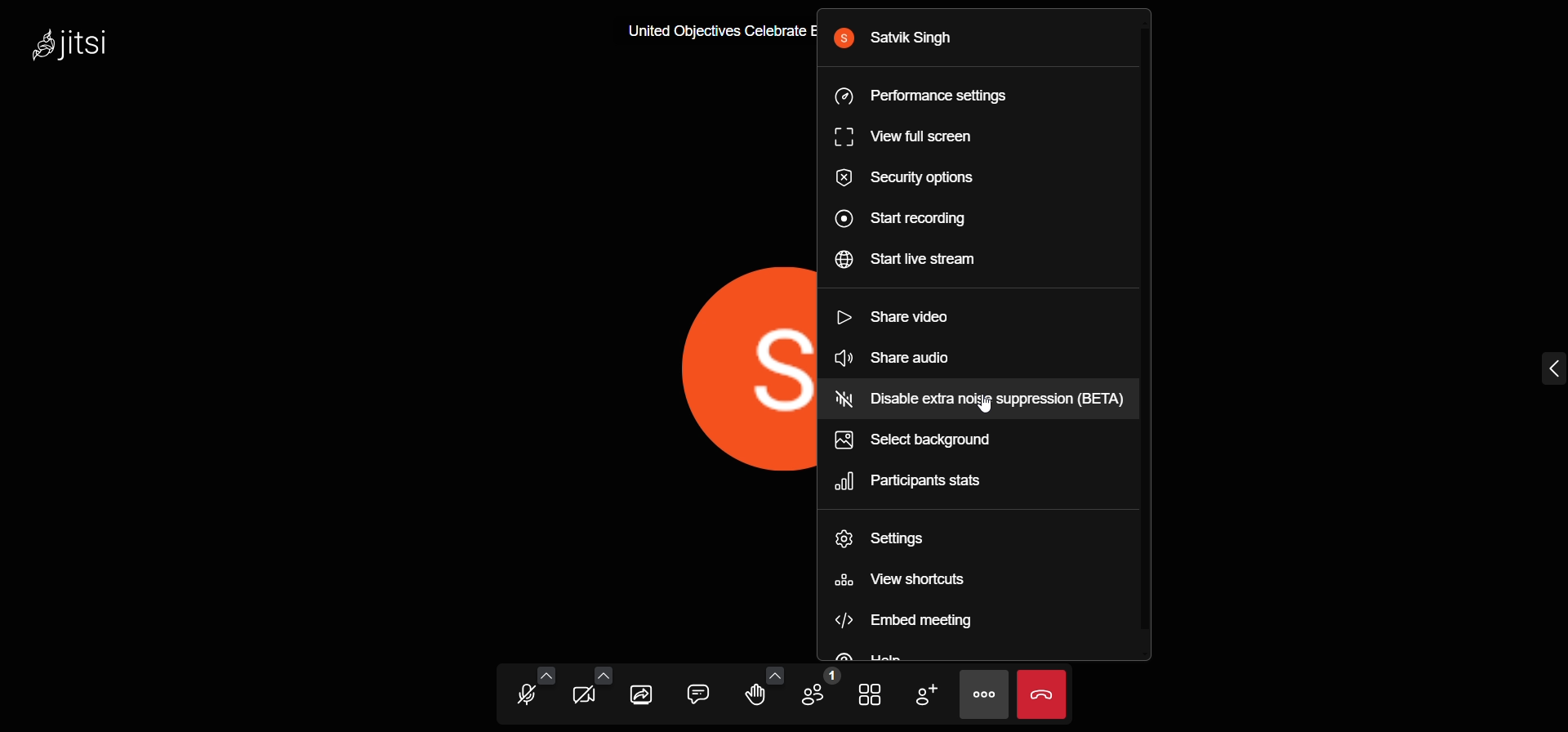  Describe the element at coordinates (642, 695) in the screenshot. I see `share screen` at that location.